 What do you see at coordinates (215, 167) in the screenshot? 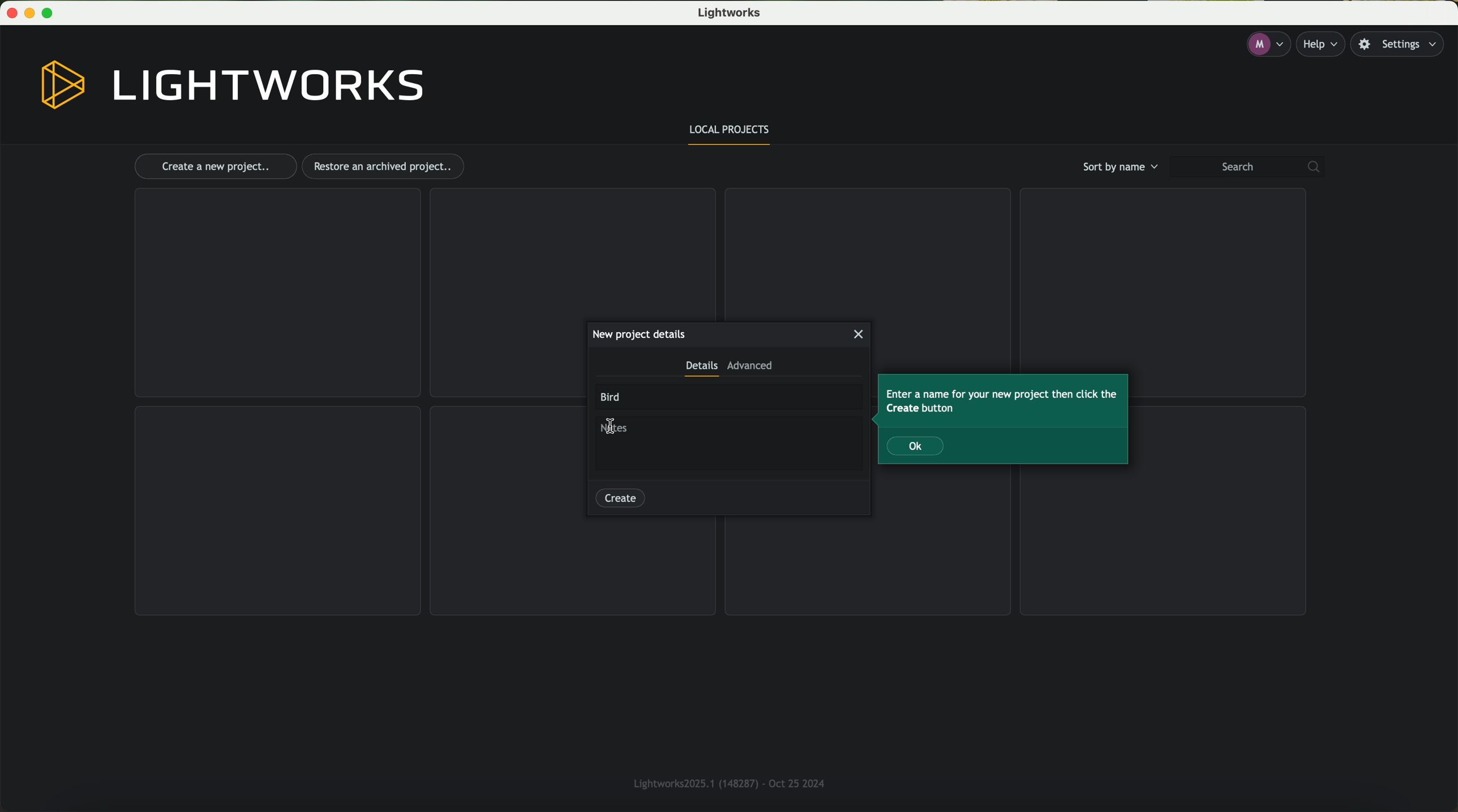
I see `click on create new project` at bounding box center [215, 167].